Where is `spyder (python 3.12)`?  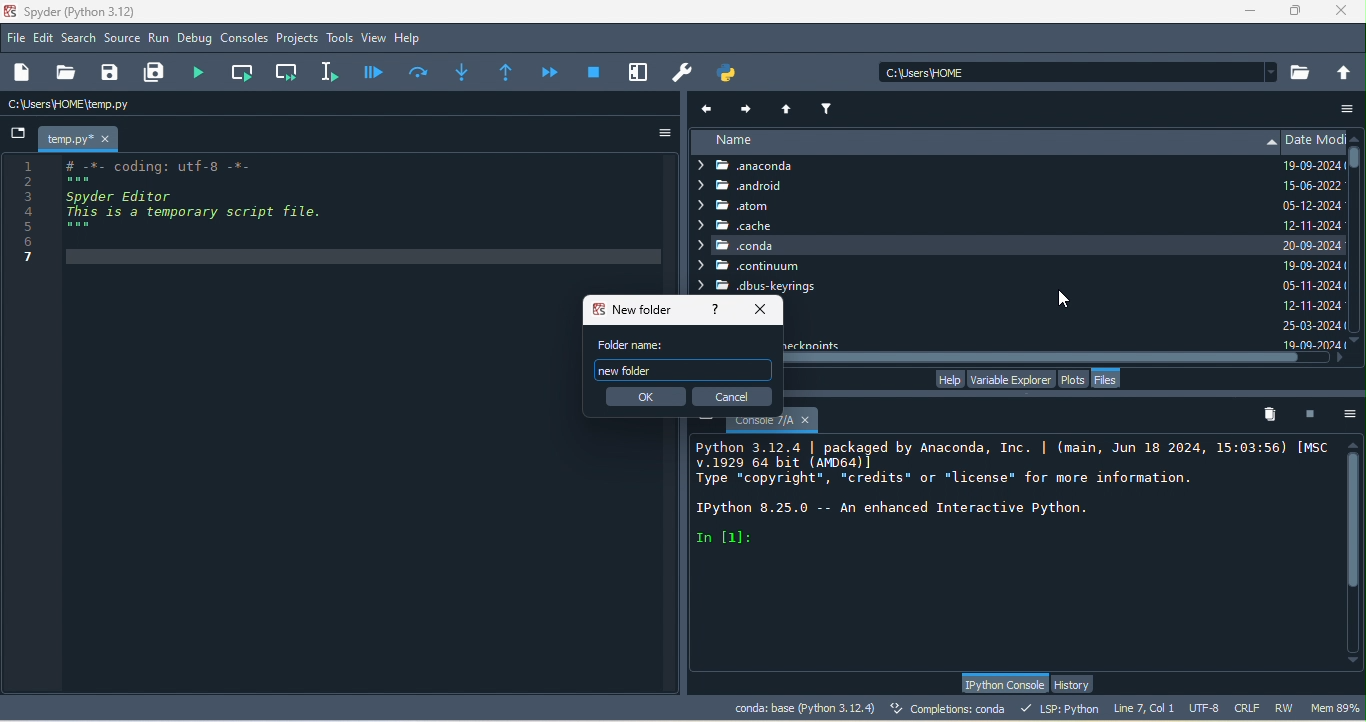
spyder (python 3.12) is located at coordinates (89, 11).